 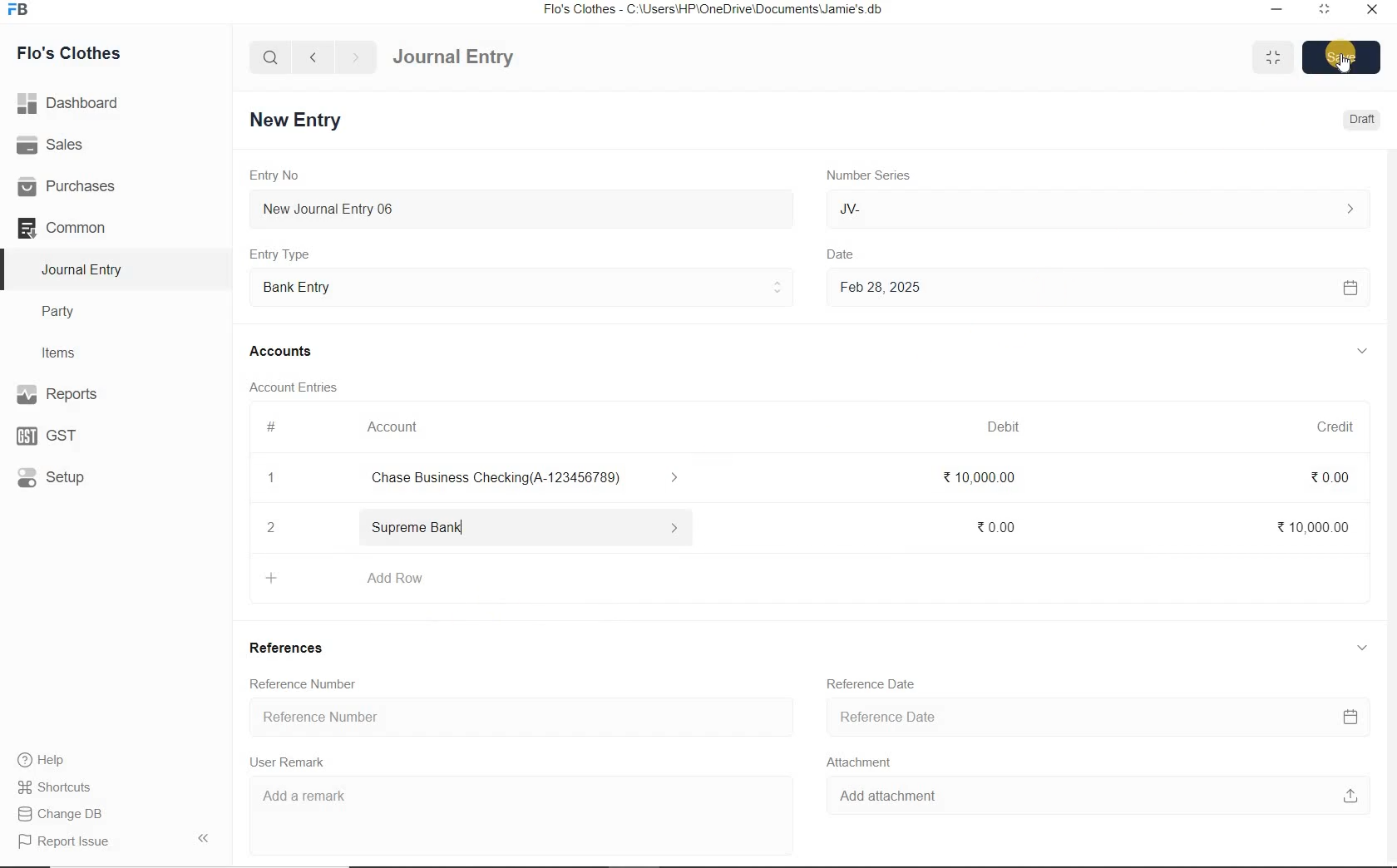 I want to click on Items, so click(x=67, y=351).